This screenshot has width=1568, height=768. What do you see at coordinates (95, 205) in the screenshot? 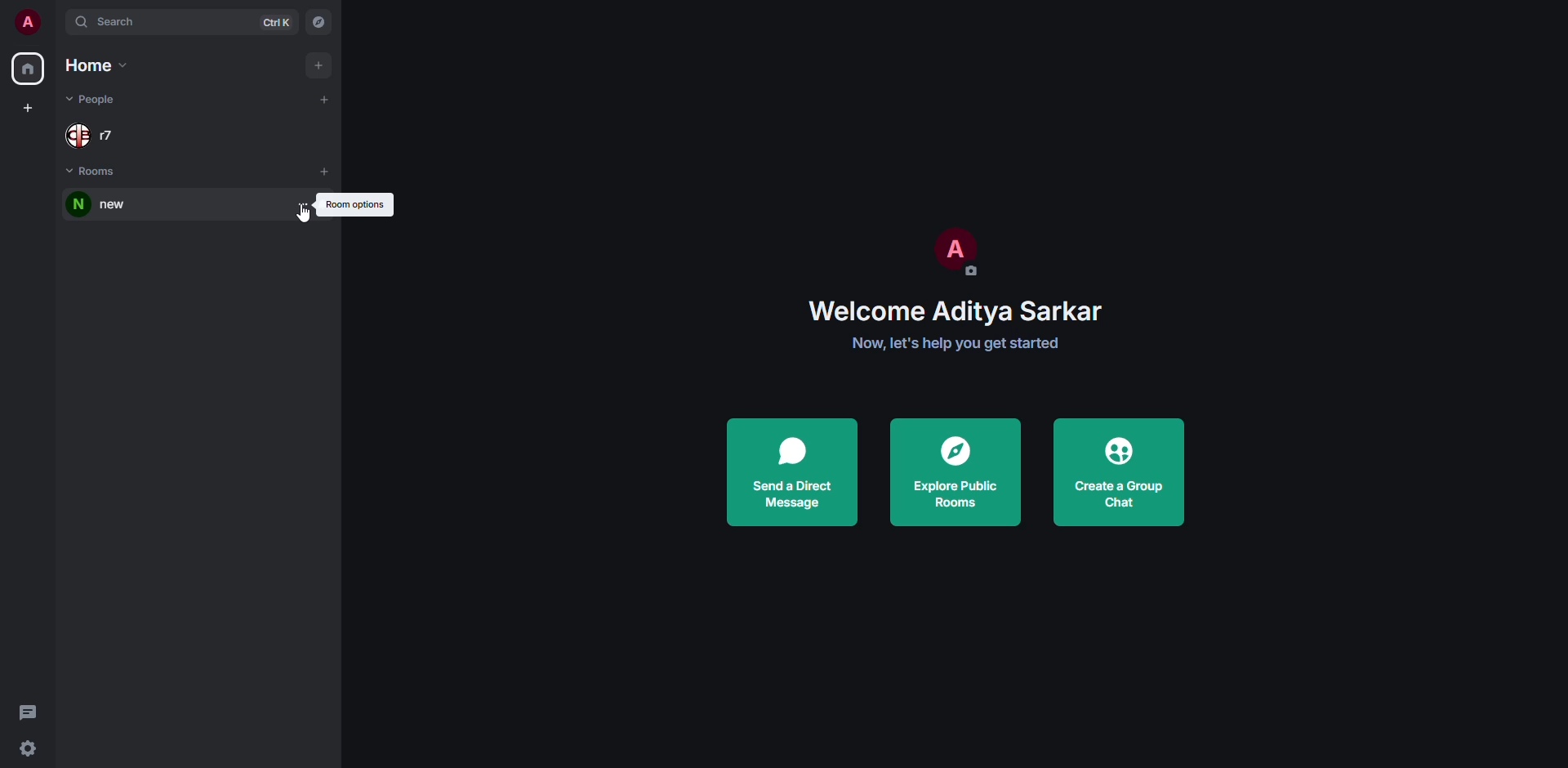
I see `room` at bounding box center [95, 205].